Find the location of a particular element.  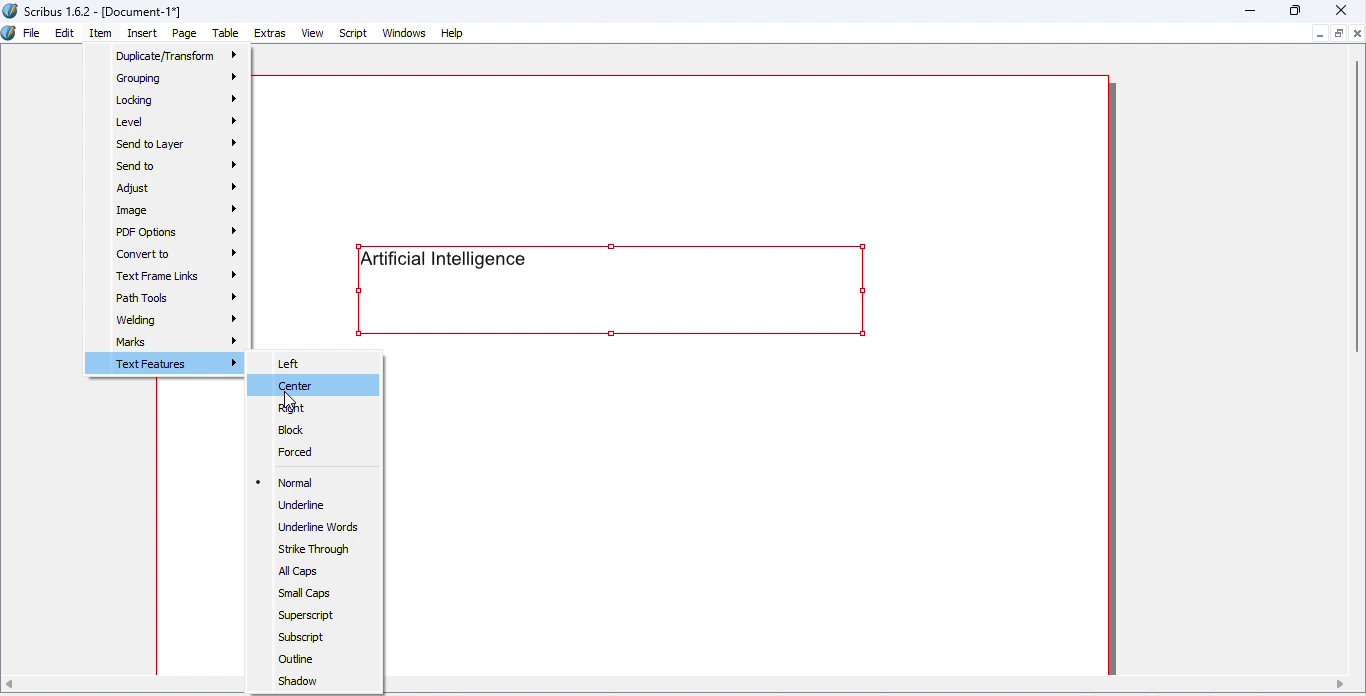

Table is located at coordinates (226, 34).